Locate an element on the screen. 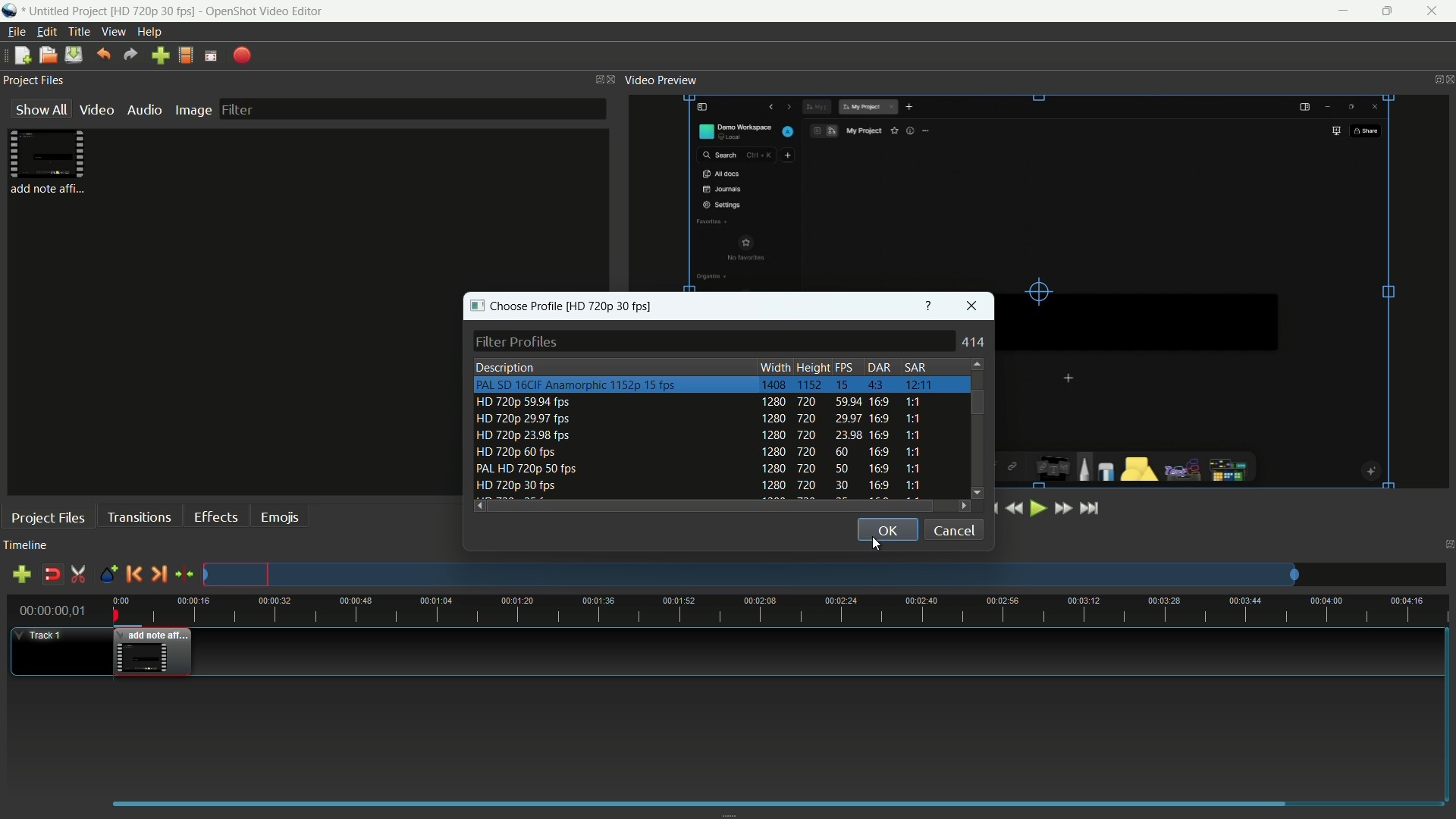  profile-7 is located at coordinates (703, 486).